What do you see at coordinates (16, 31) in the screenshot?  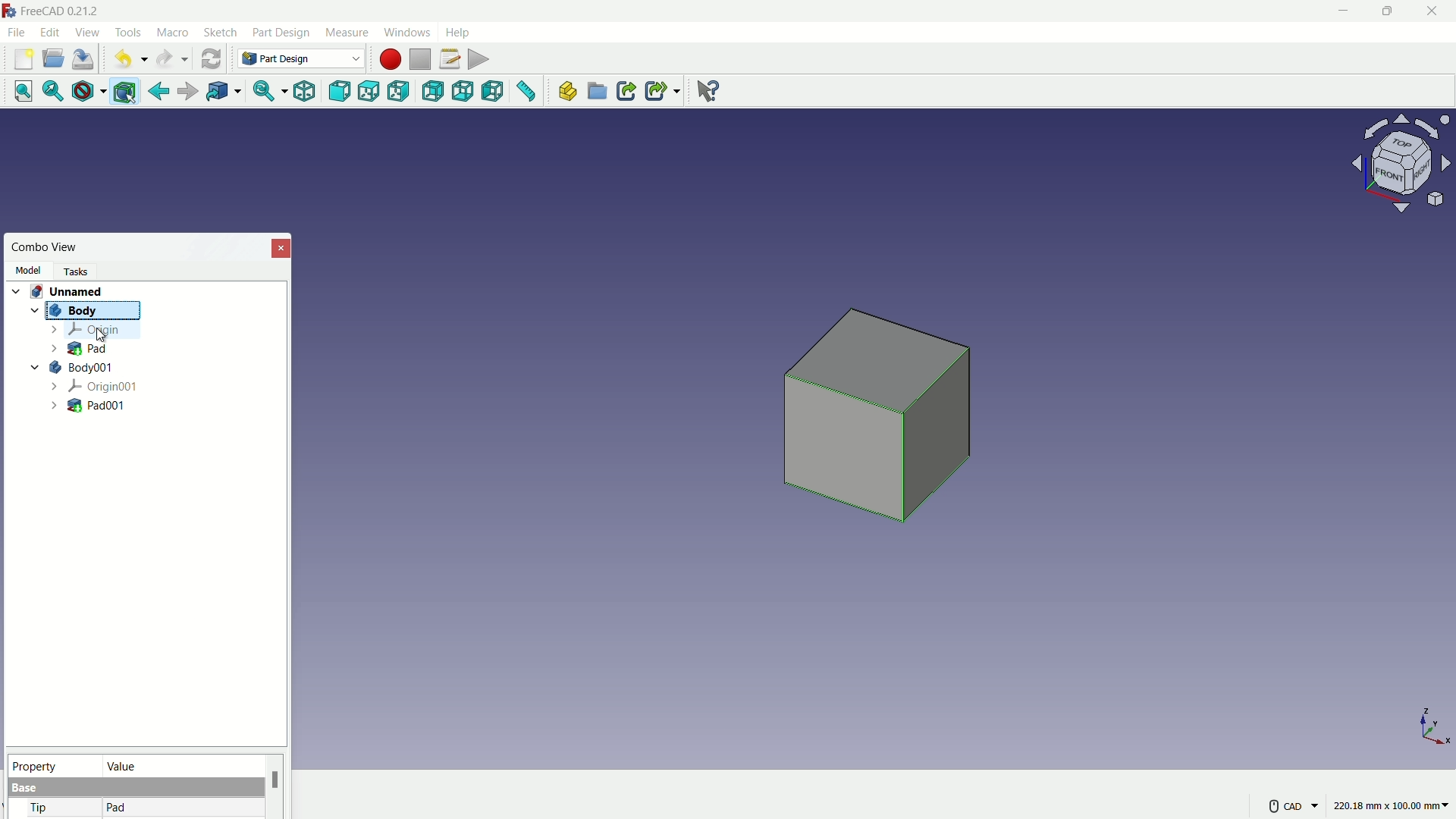 I see `file` at bounding box center [16, 31].